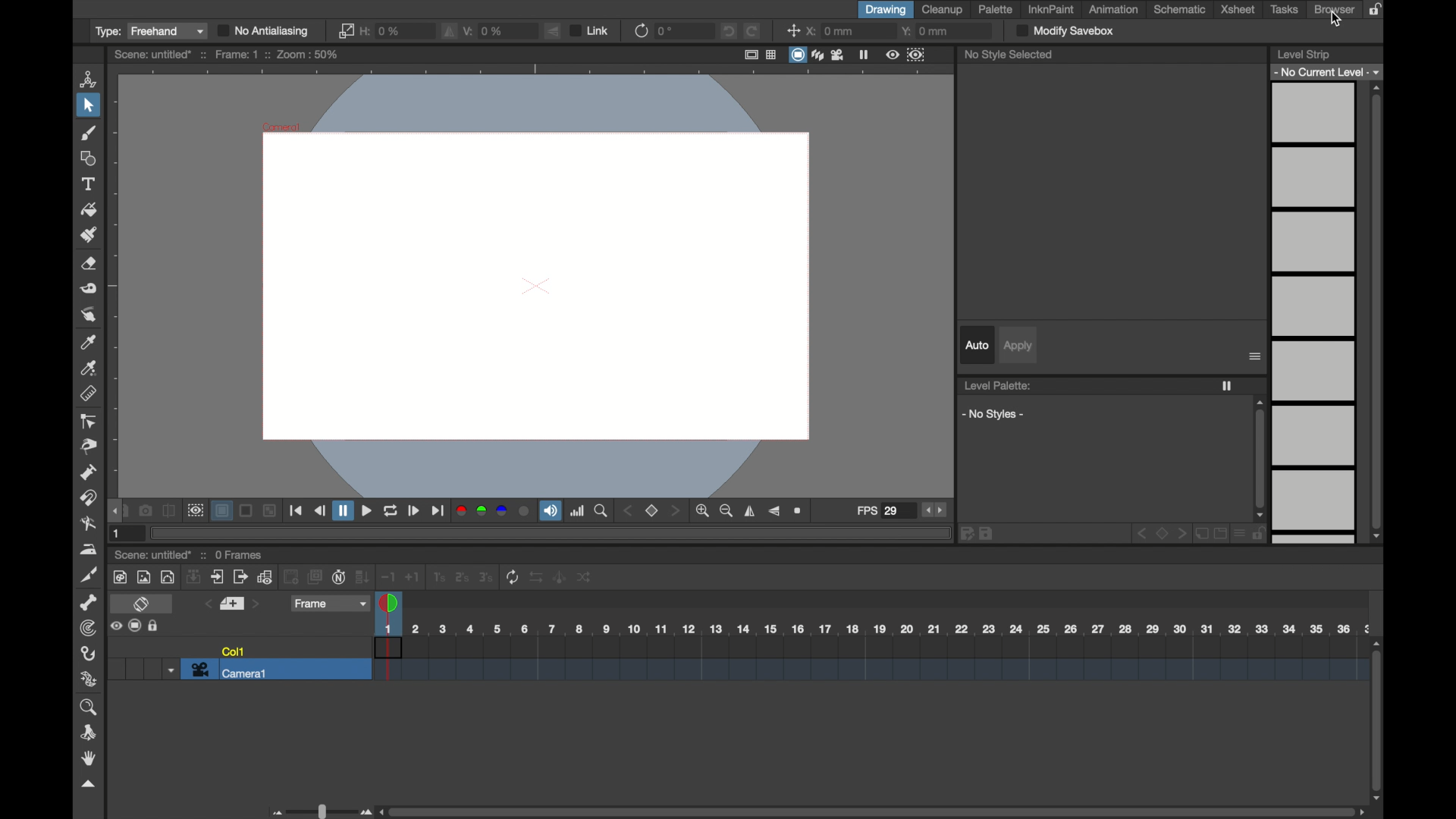  What do you see at coordinates (1378, 720) in the screenshot?
I see `scroll box` at bounding box center [1378, 720].